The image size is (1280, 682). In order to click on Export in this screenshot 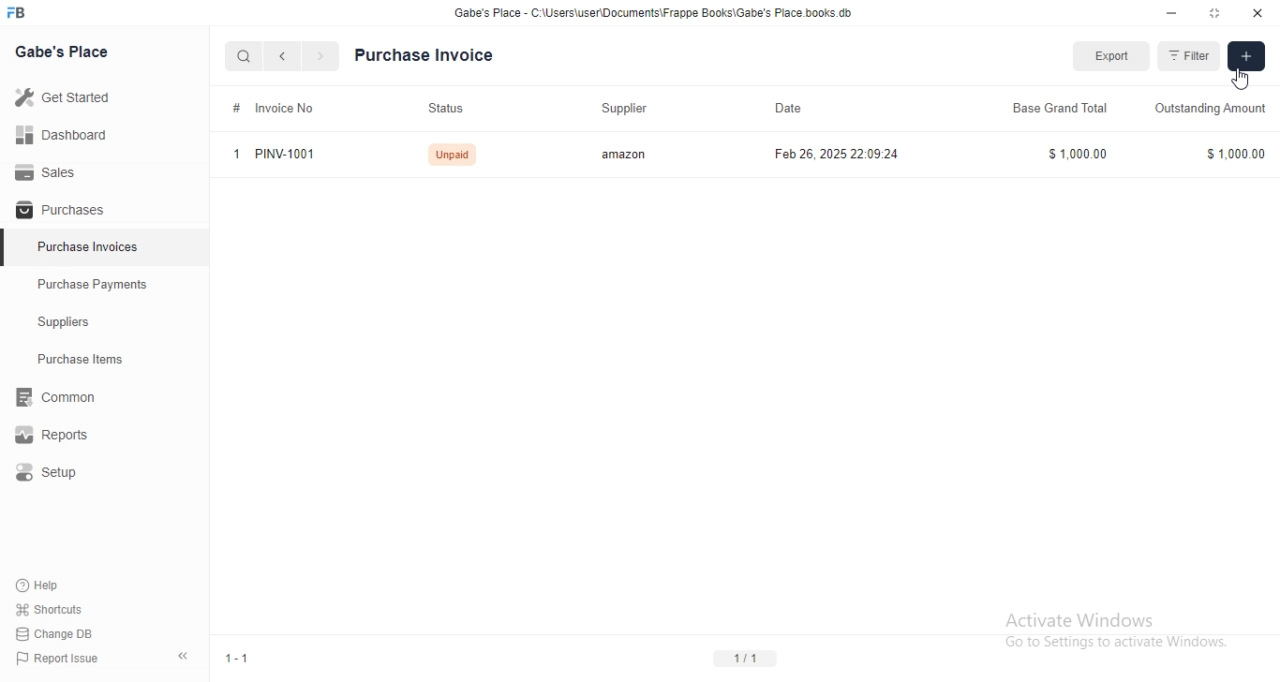, I will do `click(1112, 56)`.